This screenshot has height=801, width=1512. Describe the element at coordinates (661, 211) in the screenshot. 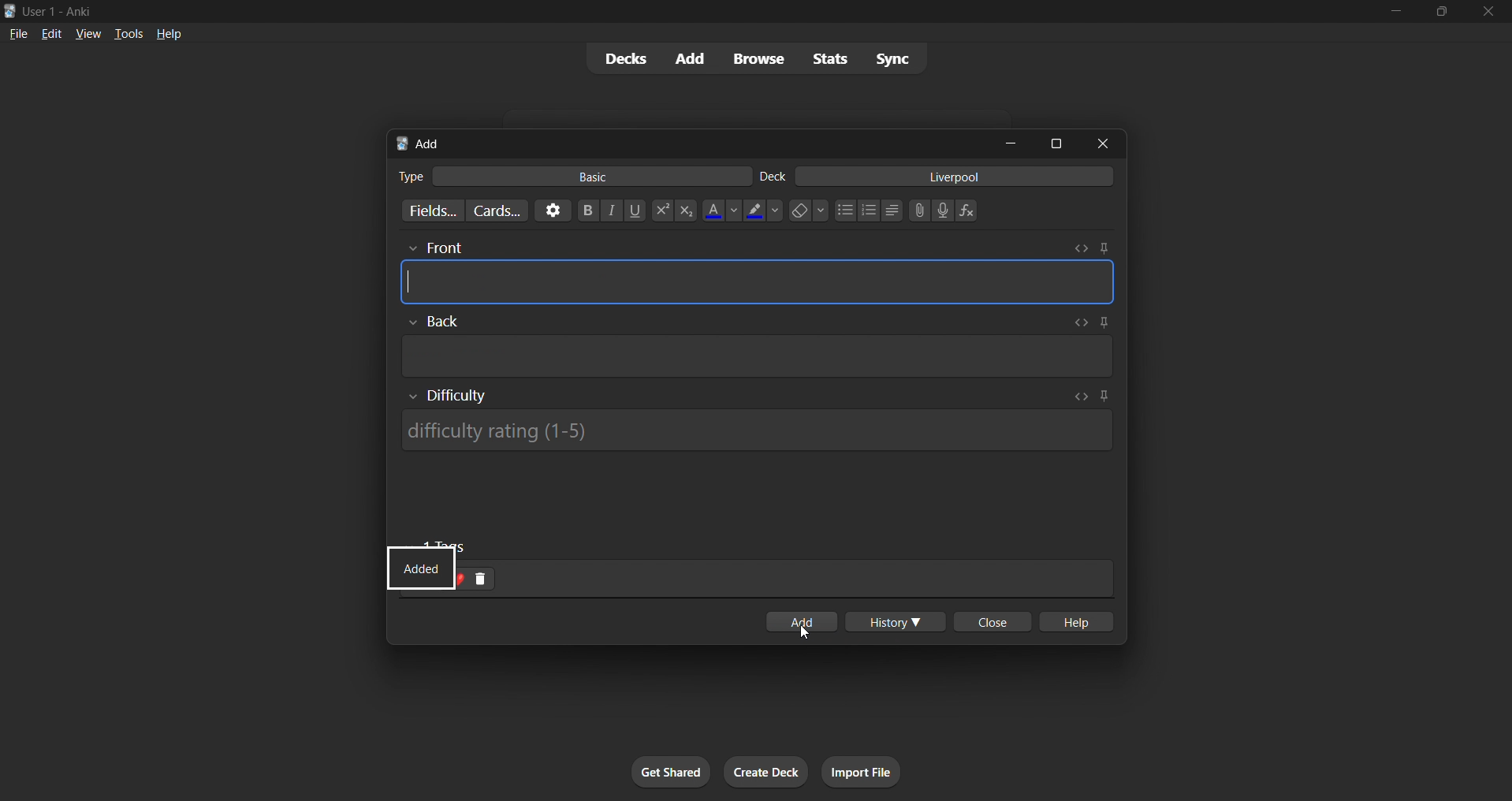

I see `superscript` at that location.